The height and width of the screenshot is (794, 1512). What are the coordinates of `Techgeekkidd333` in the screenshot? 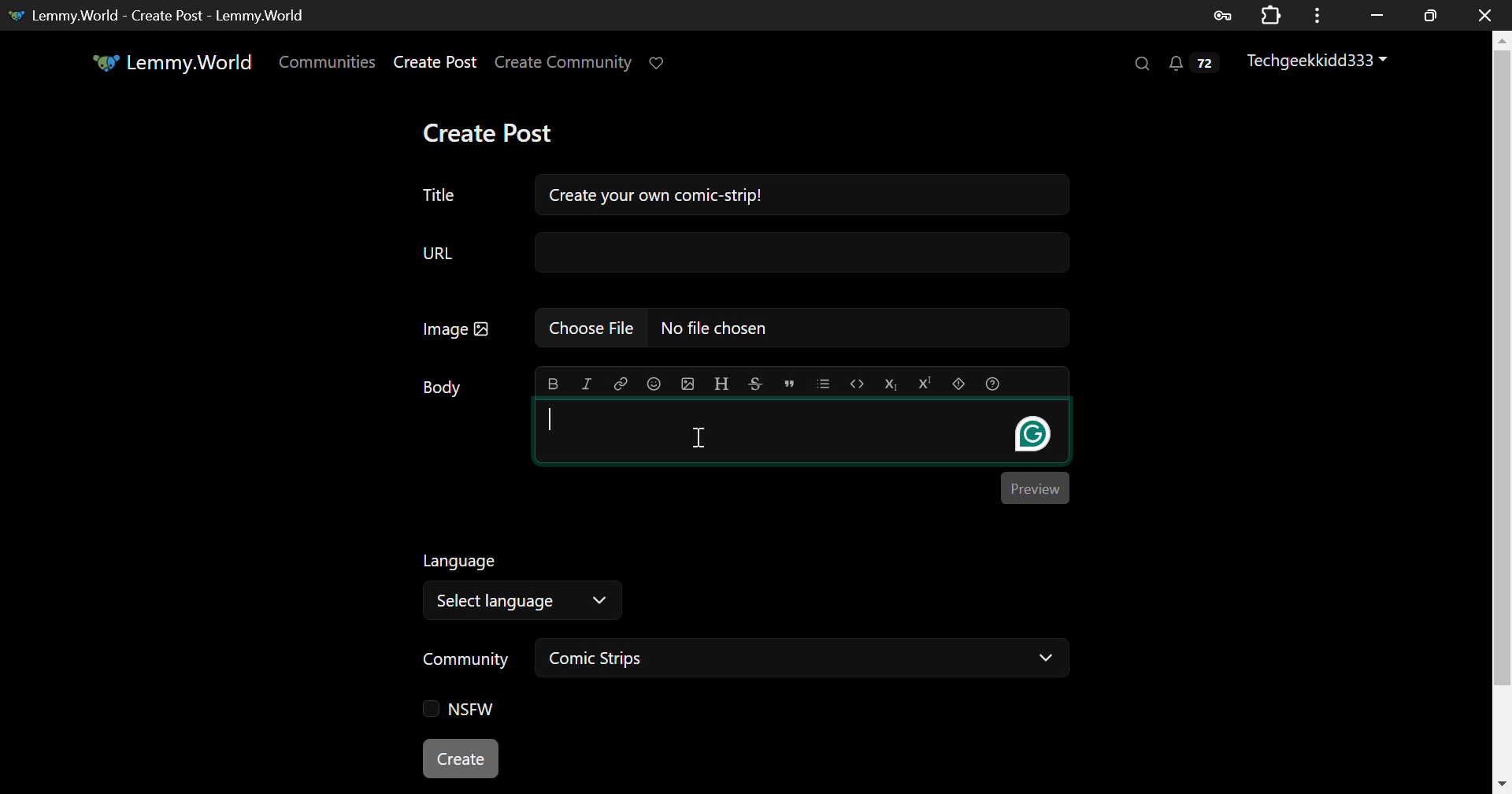 It's located at (1319, 62).